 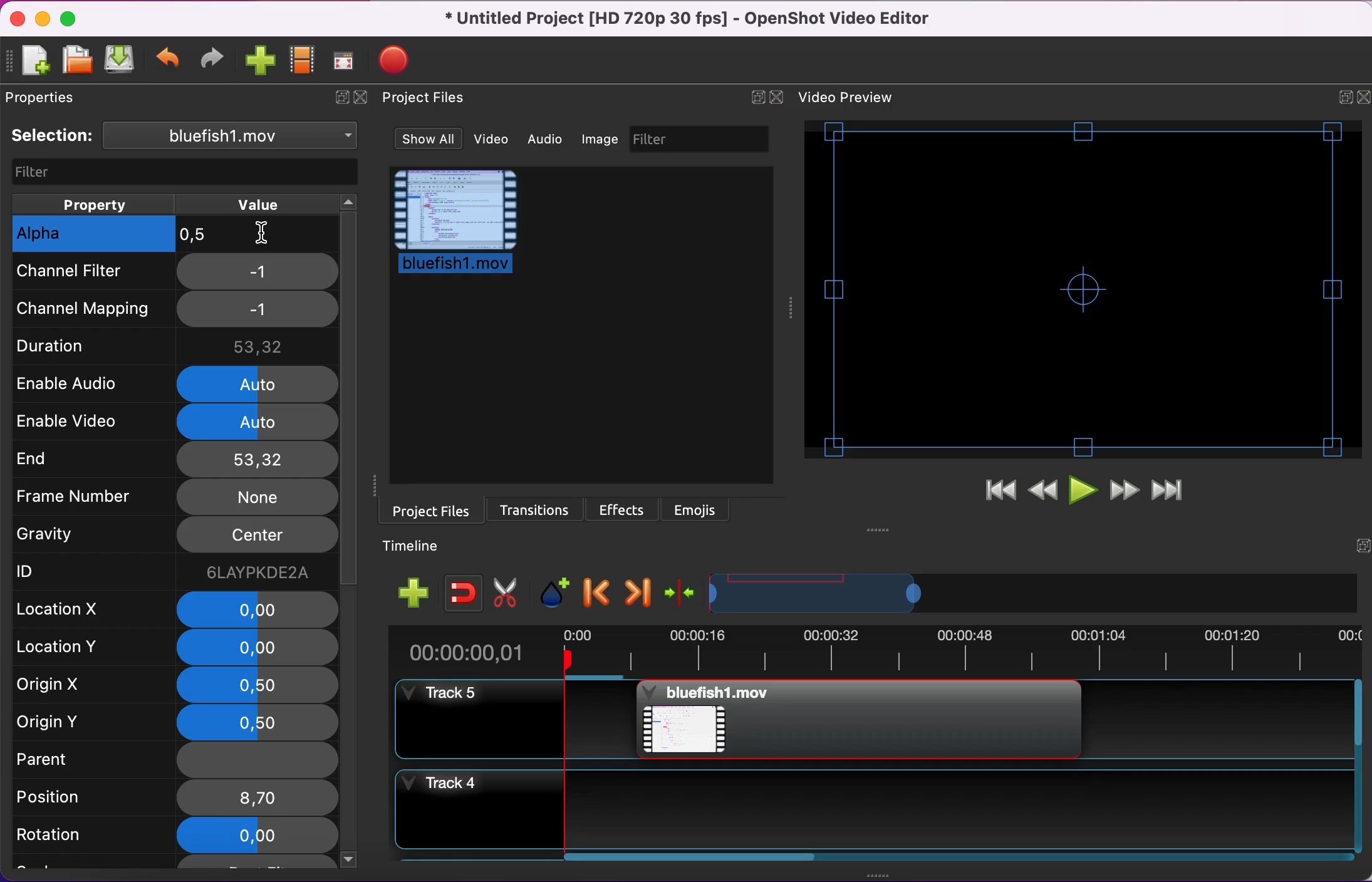 I want to click on frame number, so click(x=90, y=498).